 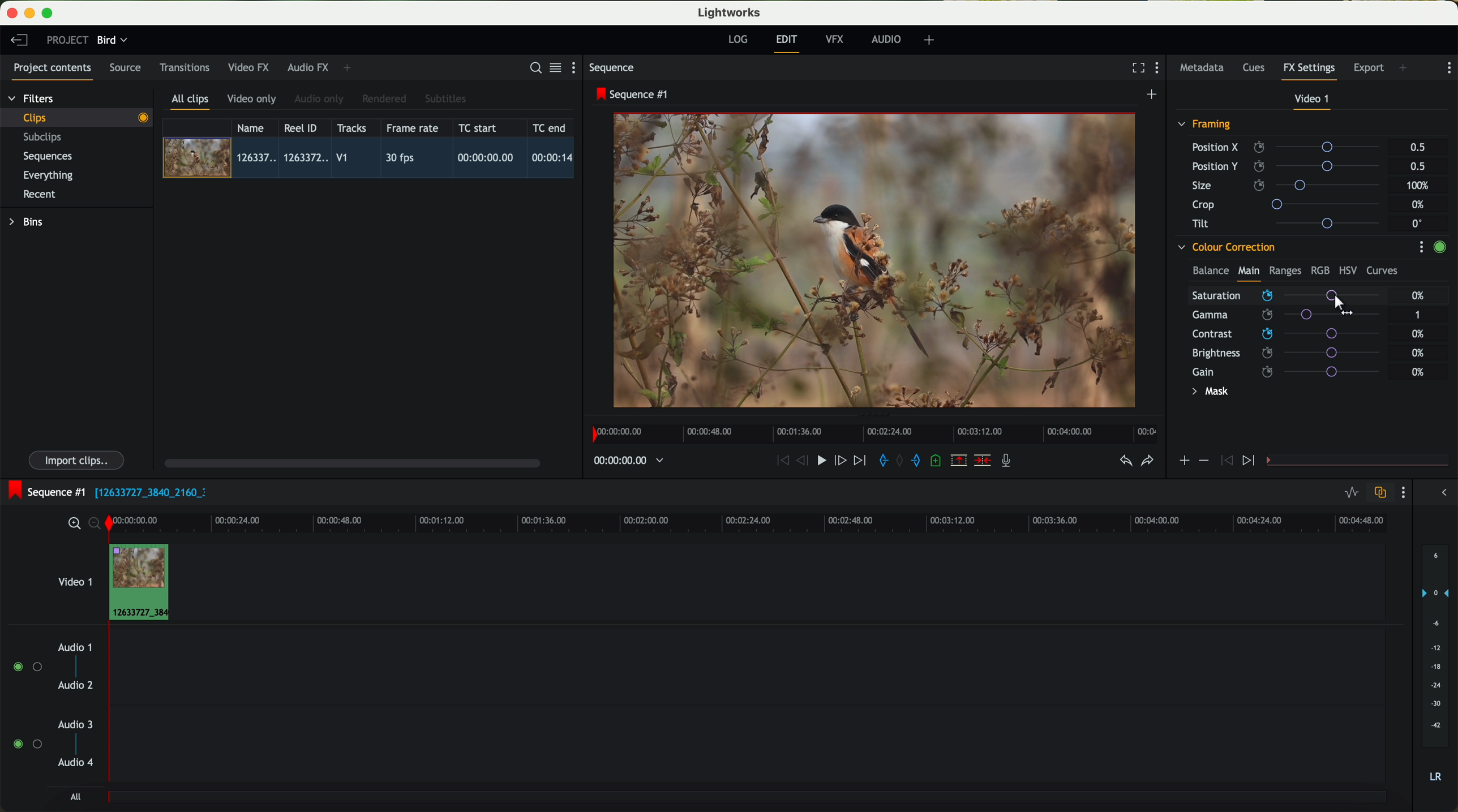 What do you see at coordinates (96, 525) in the screenshot?
I see `zoom out` at bounding box center [96, 525].